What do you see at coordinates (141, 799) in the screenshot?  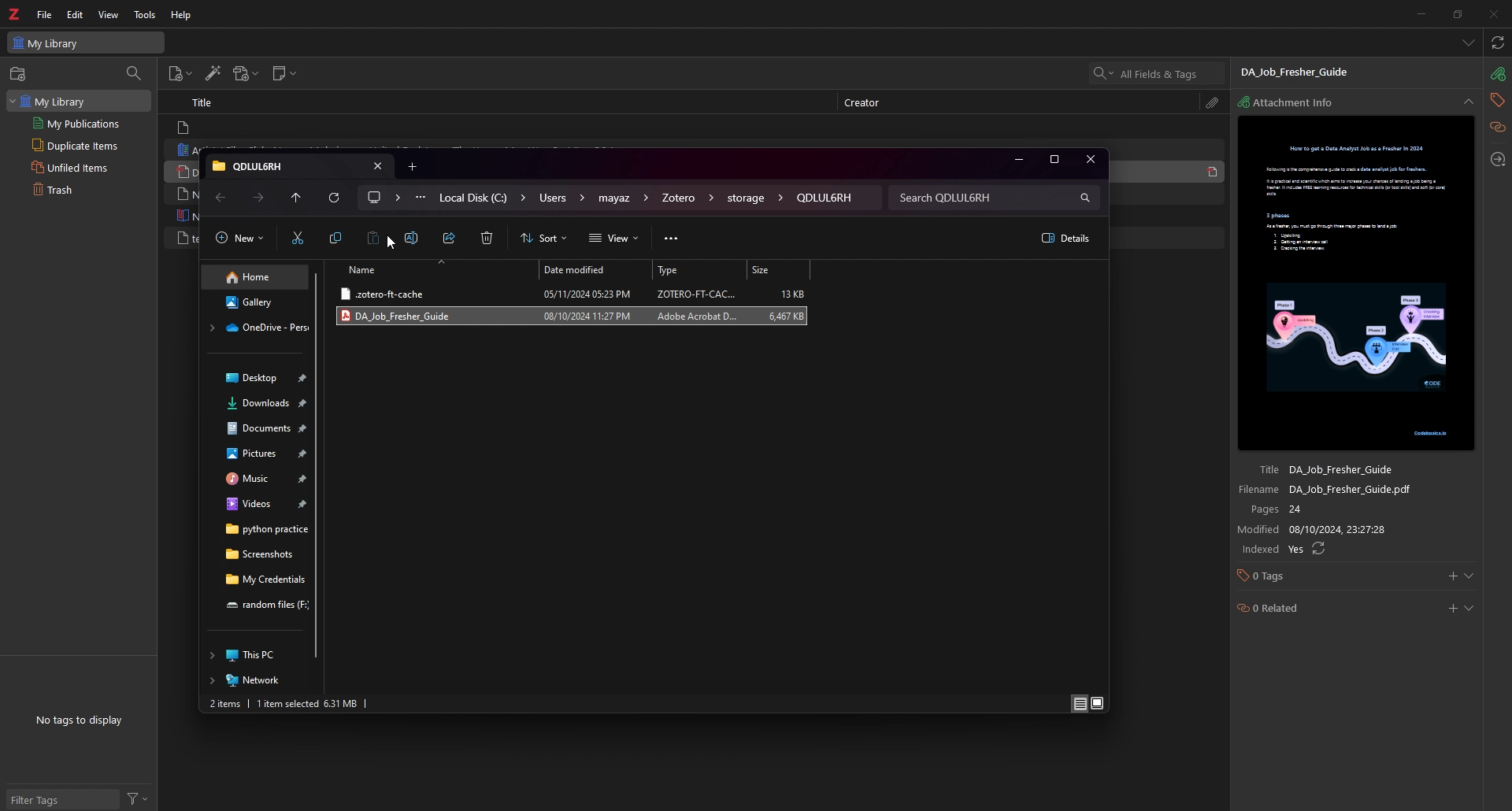 I see `filter` at bounding box center [141, 799].